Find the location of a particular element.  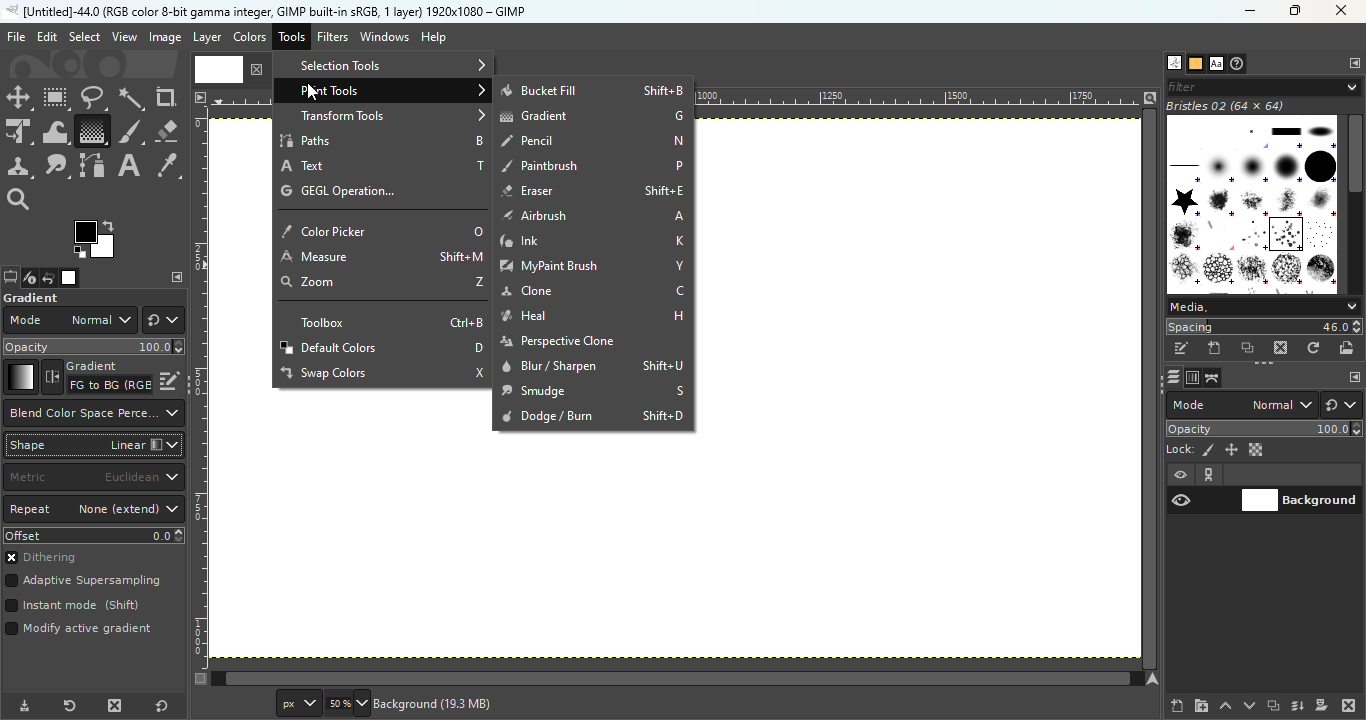

Unified transform tool is located at coordinates (18, 133).